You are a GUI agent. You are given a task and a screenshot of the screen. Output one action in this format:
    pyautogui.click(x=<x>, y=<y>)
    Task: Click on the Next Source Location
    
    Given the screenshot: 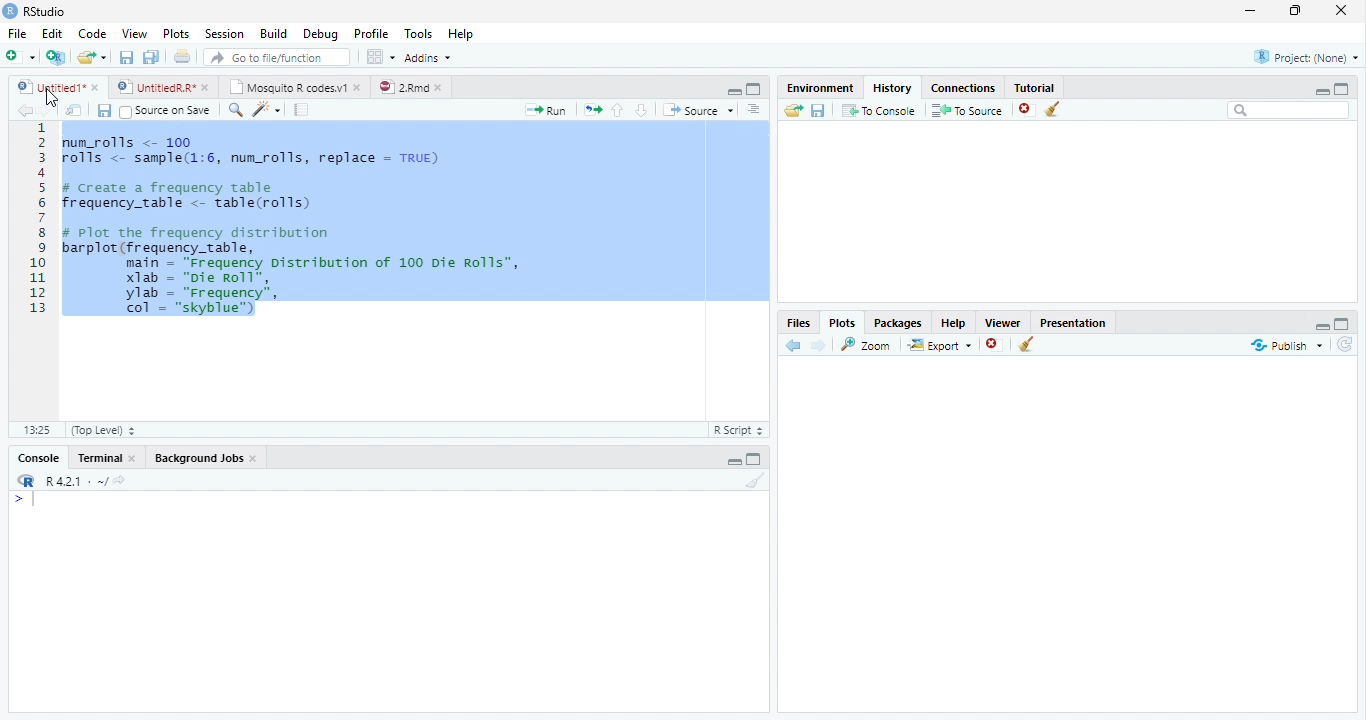 What is the action you would take?
    pyautogui.click(x=45, y=109)
    